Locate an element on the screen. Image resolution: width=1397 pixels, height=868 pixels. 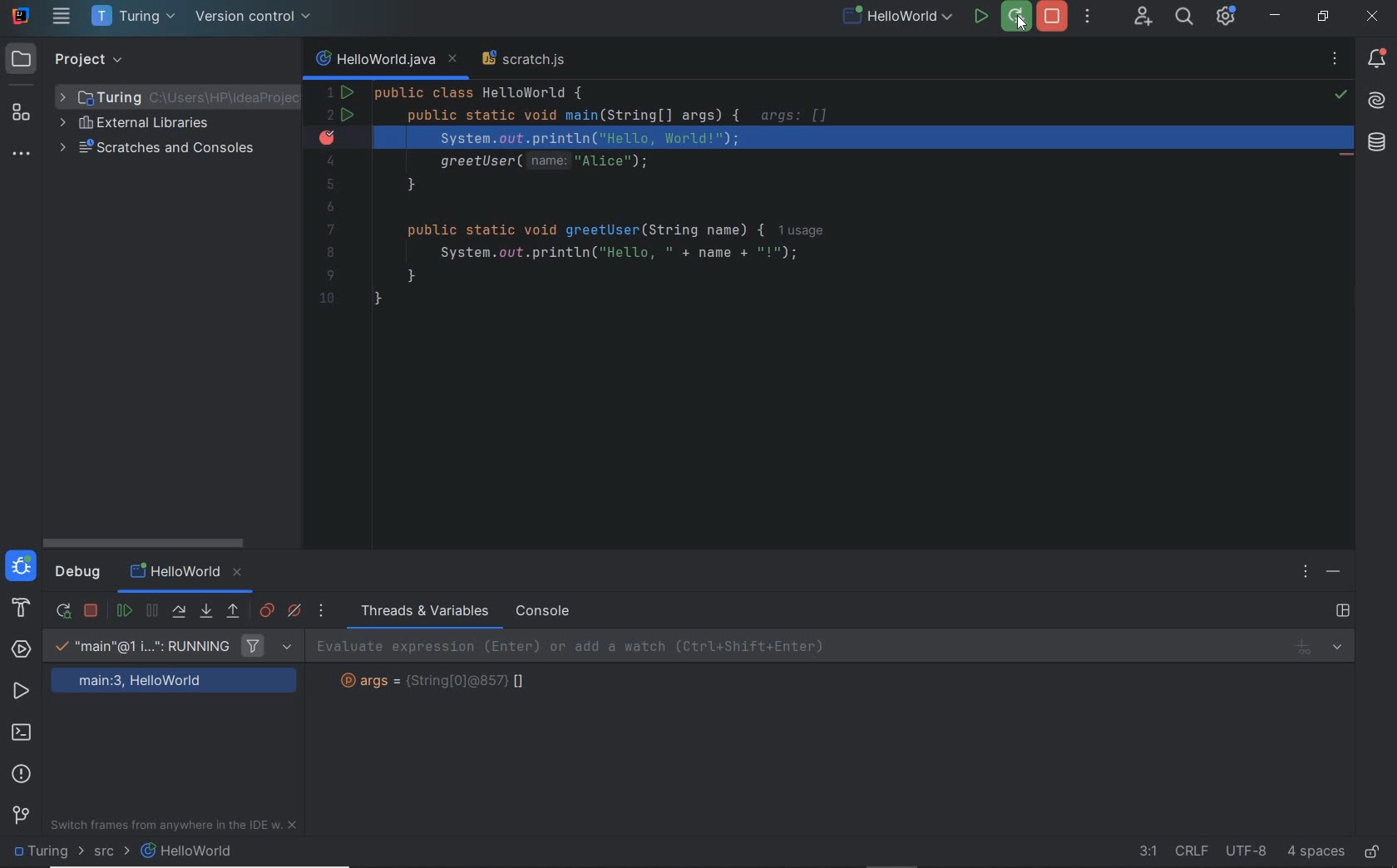
debug is located at coordinates (77, 575).